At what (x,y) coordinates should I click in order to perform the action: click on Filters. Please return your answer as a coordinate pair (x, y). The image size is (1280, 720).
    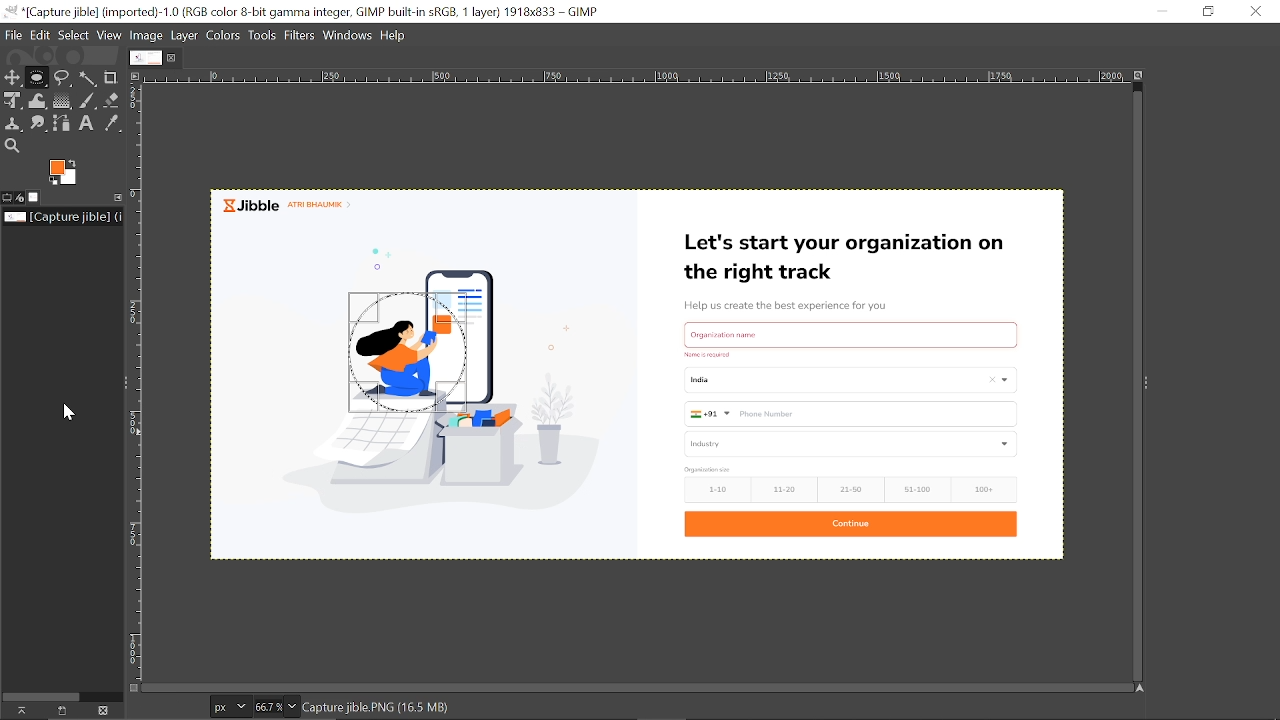
    Looking at the image, I should click on (302, 35).